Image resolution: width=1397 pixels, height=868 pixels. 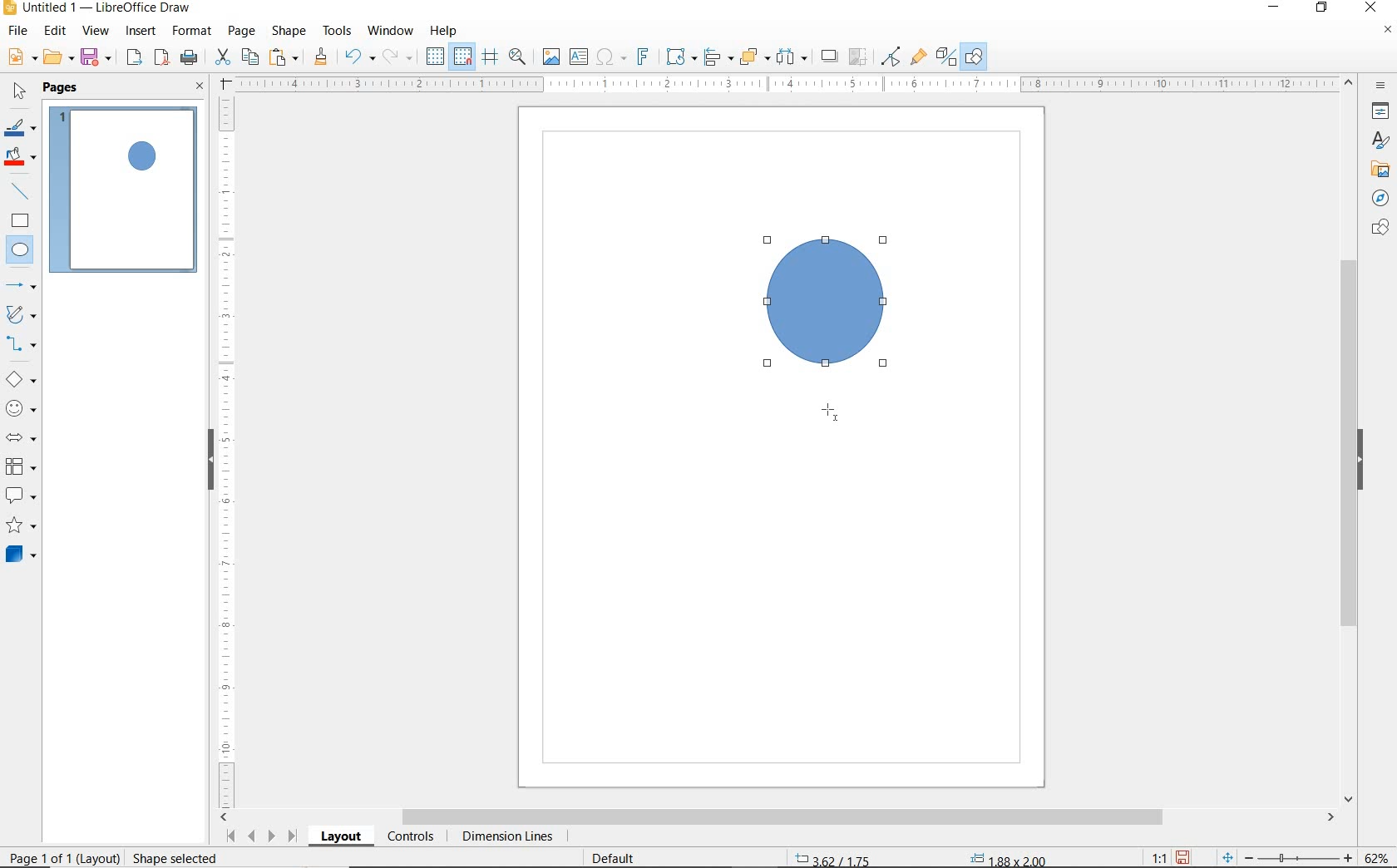 I want to click on PAGE 1, so click(x=124, y=195).